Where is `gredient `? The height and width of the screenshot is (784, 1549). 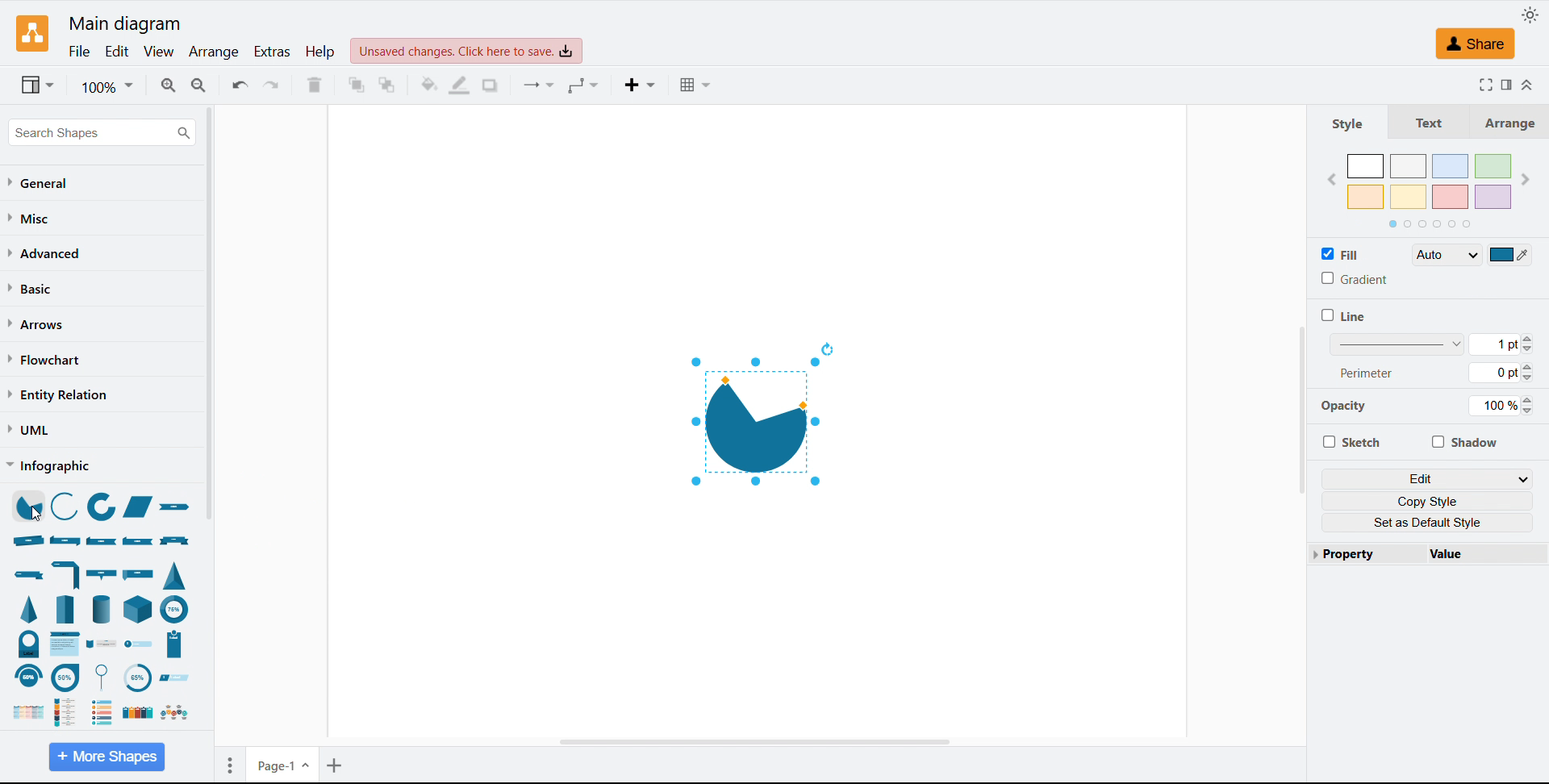 gredient  is located at coordinates (1355, 279).